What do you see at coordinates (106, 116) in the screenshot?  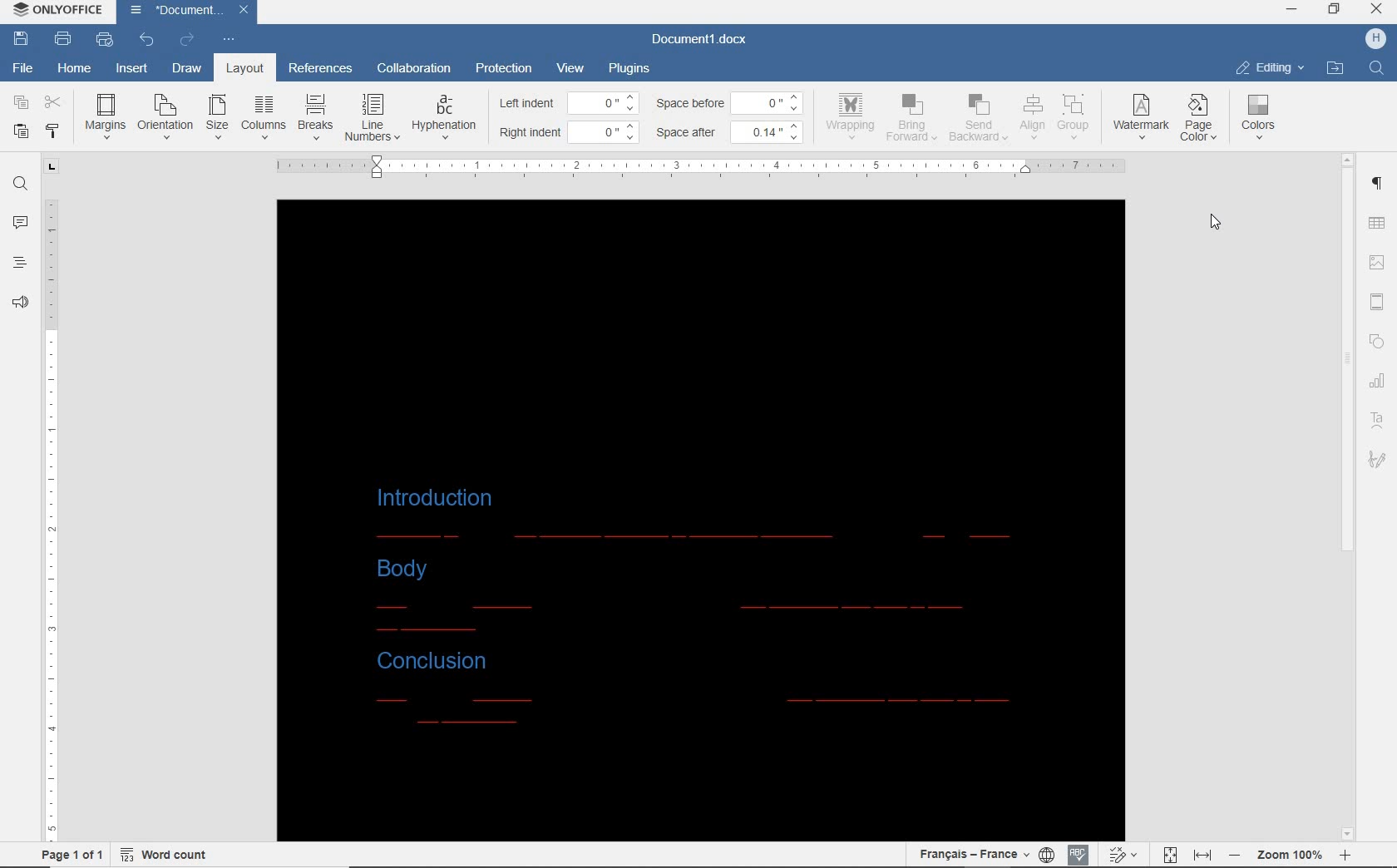 I see `margins` at bounding box center [106, 116].